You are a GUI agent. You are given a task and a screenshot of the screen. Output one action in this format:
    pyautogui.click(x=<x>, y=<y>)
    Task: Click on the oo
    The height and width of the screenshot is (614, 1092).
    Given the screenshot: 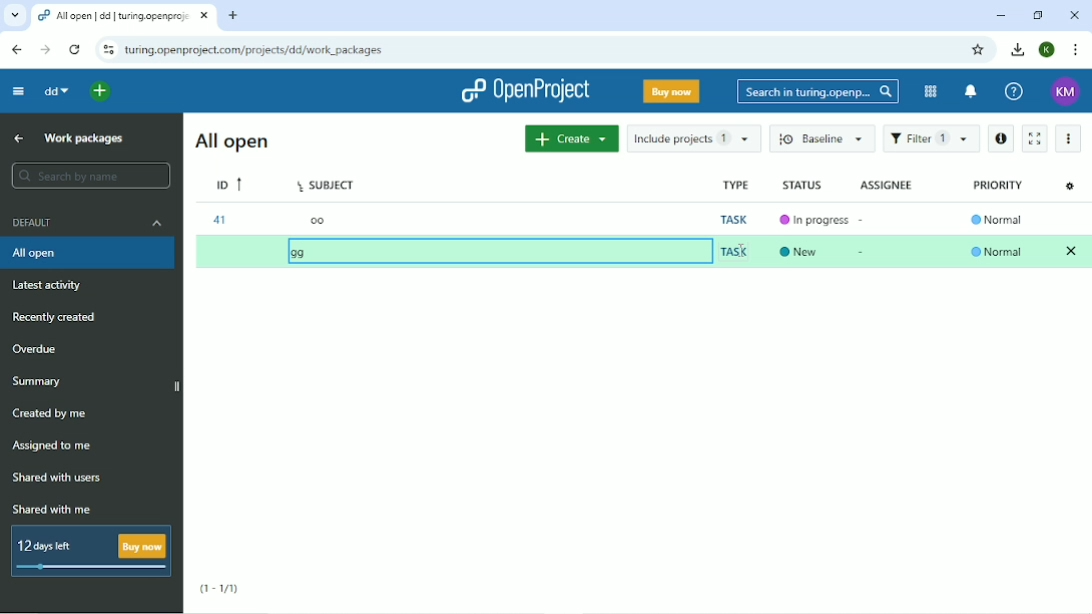 What is the action you would take?
    pyautogui.click(x=318, y=222)
    